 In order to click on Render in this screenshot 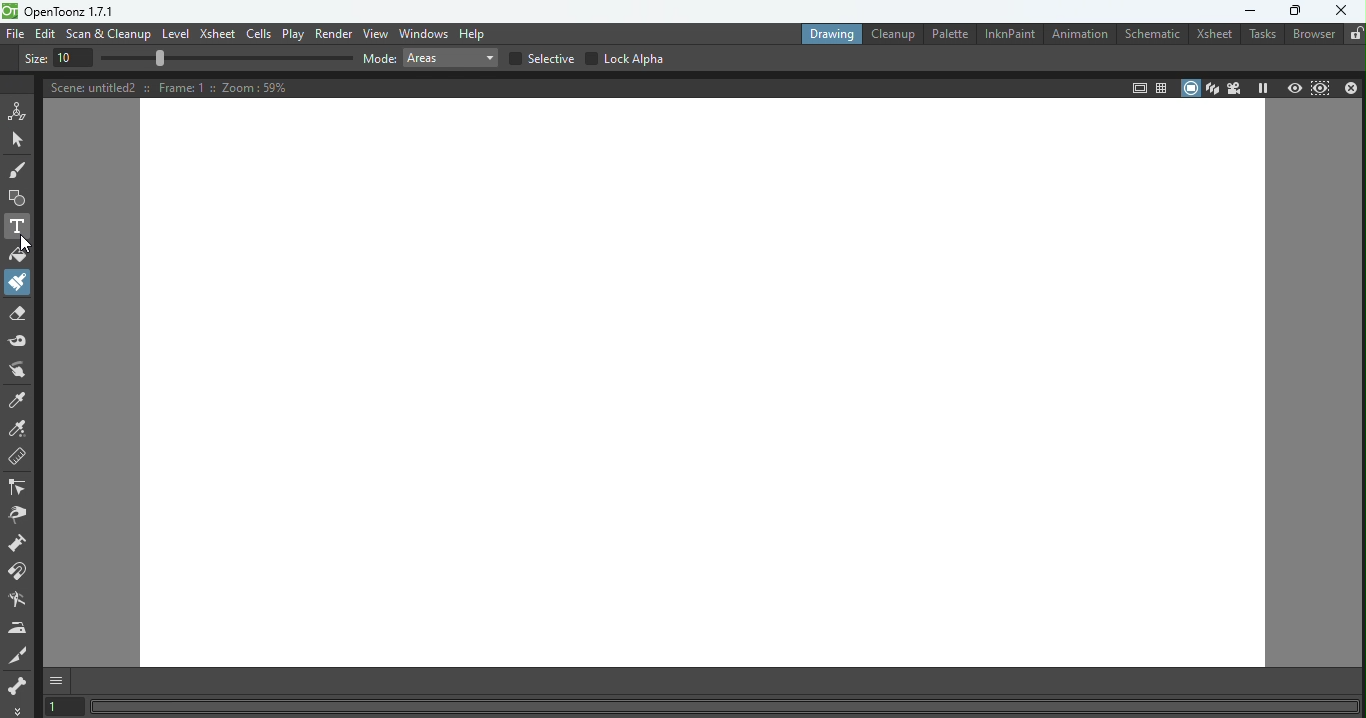, I will do `click(336, 35)`.